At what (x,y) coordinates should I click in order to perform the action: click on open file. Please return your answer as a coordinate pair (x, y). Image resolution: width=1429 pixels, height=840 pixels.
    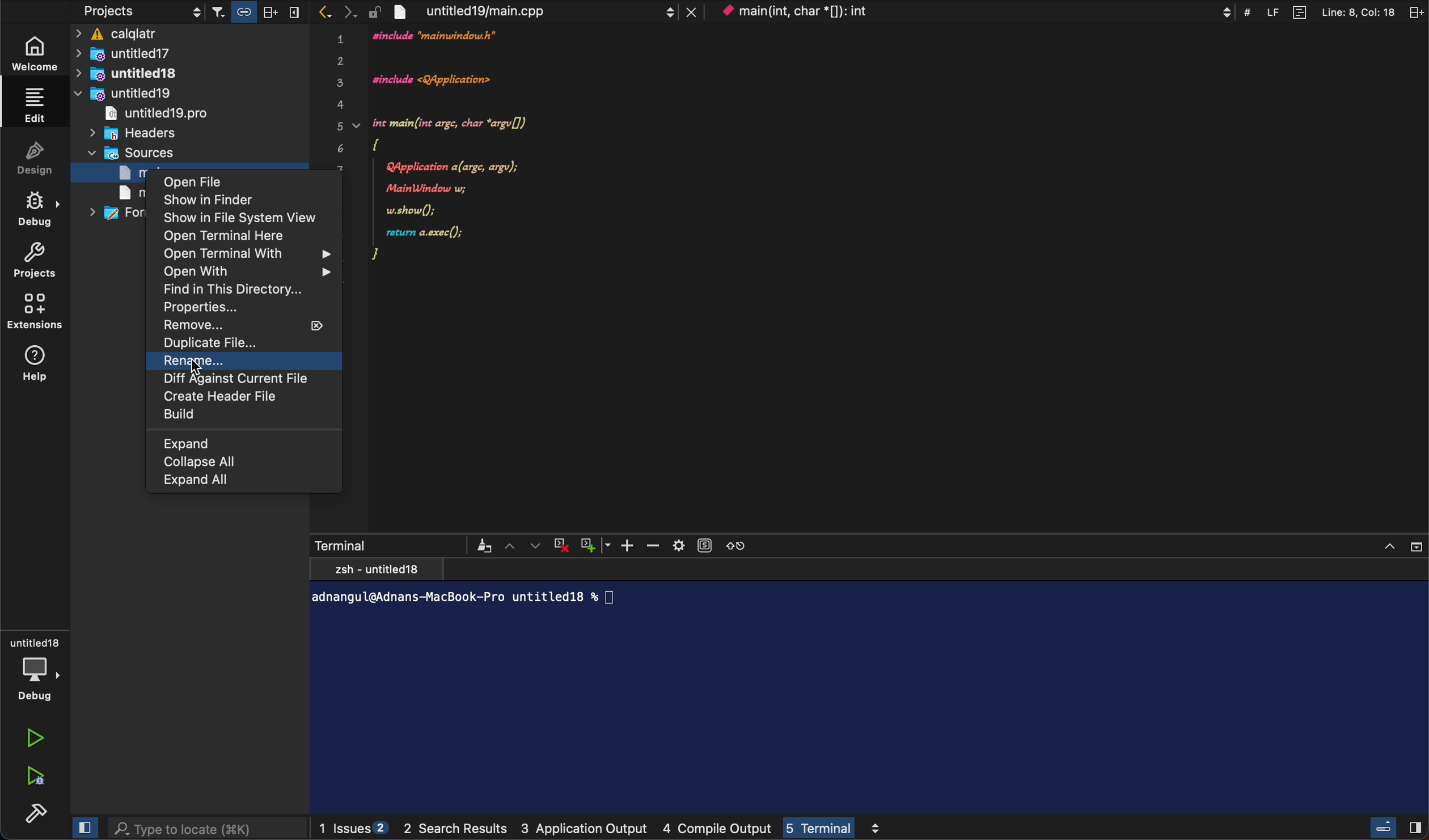
    Looking at the image, I should click on (230, 183).